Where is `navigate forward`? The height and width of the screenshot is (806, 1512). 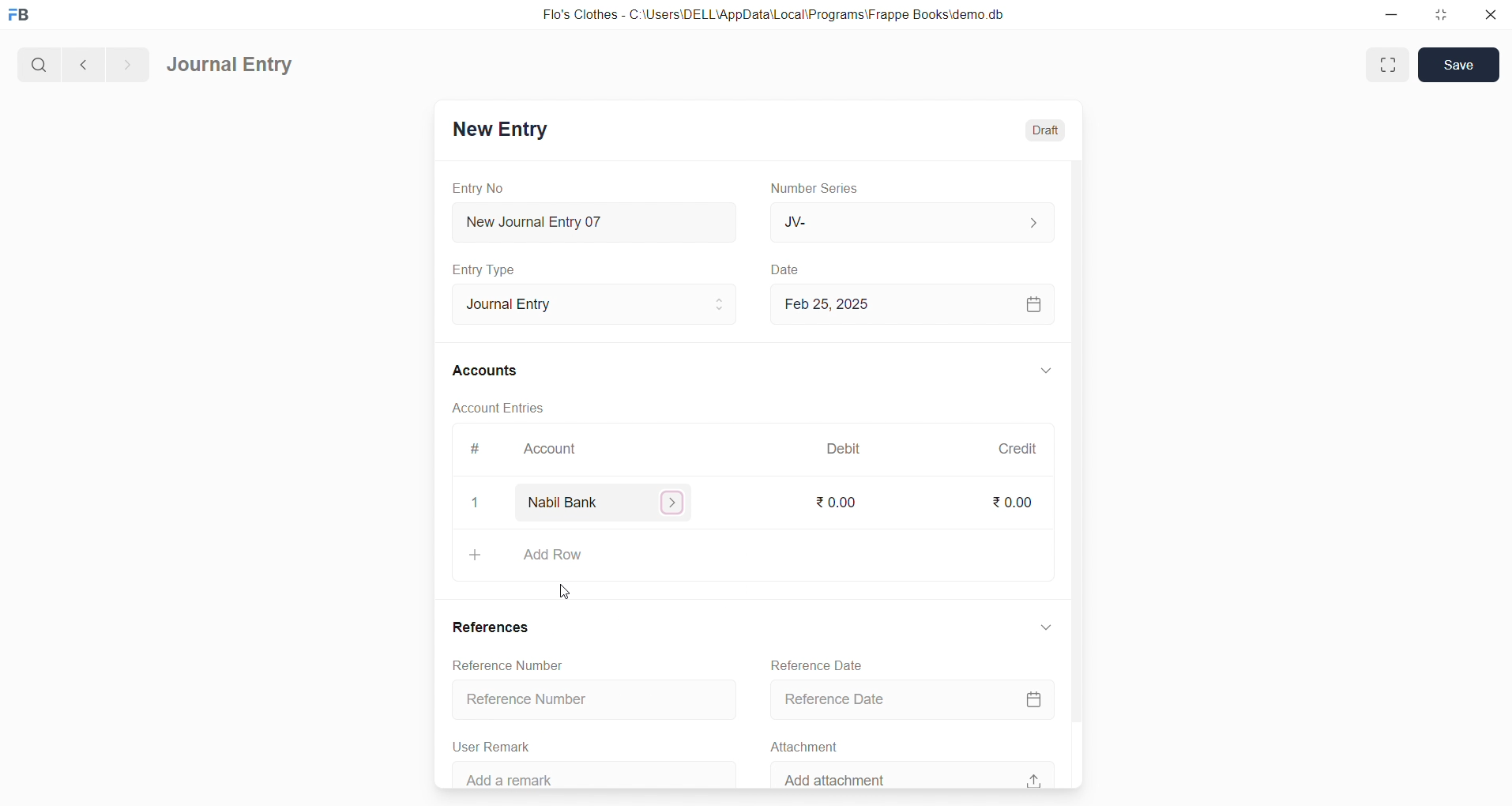
navigate forward is located at coordinates (127, 62).